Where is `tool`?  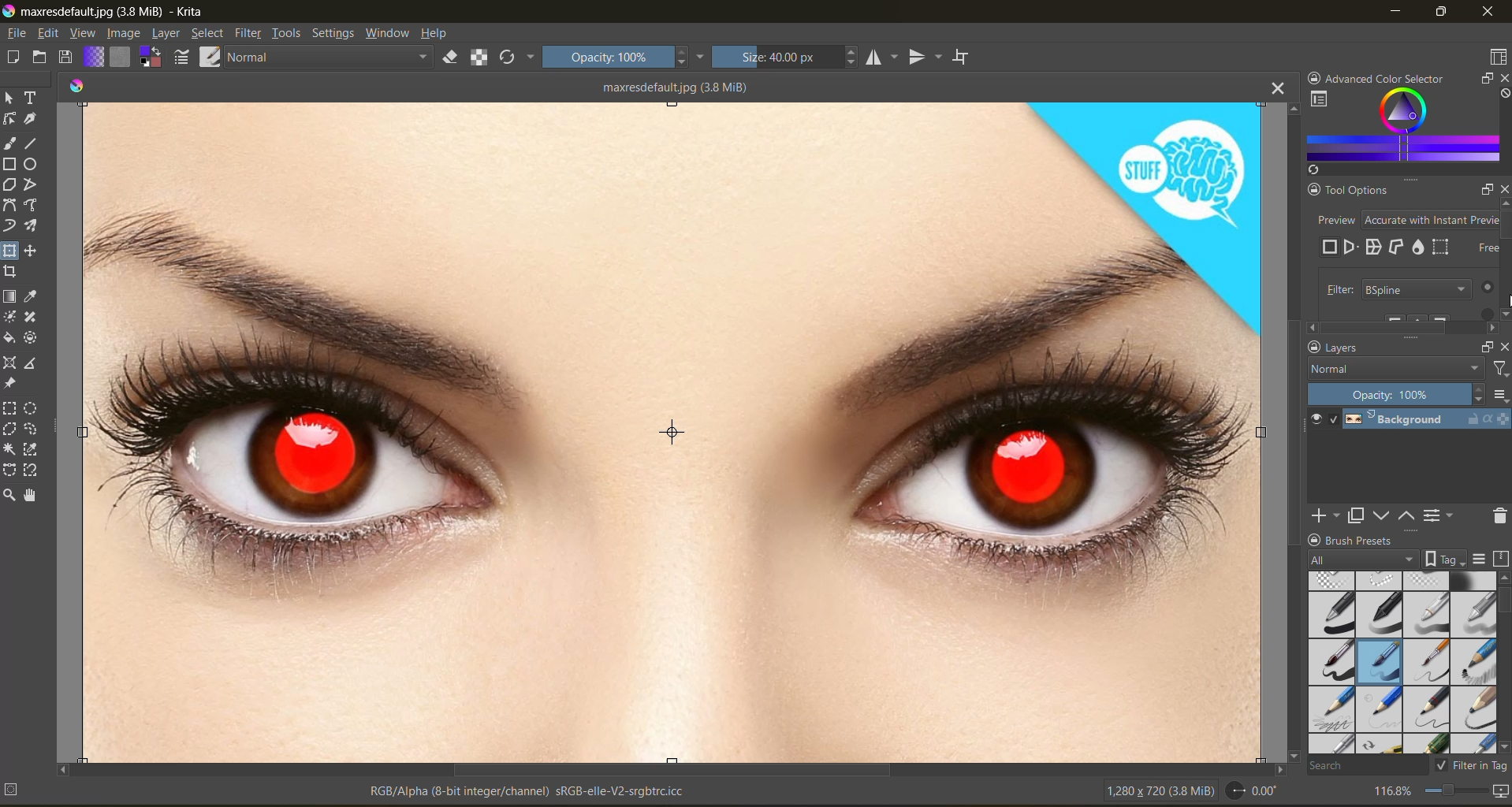
tool is located at coordinates (35, 143).